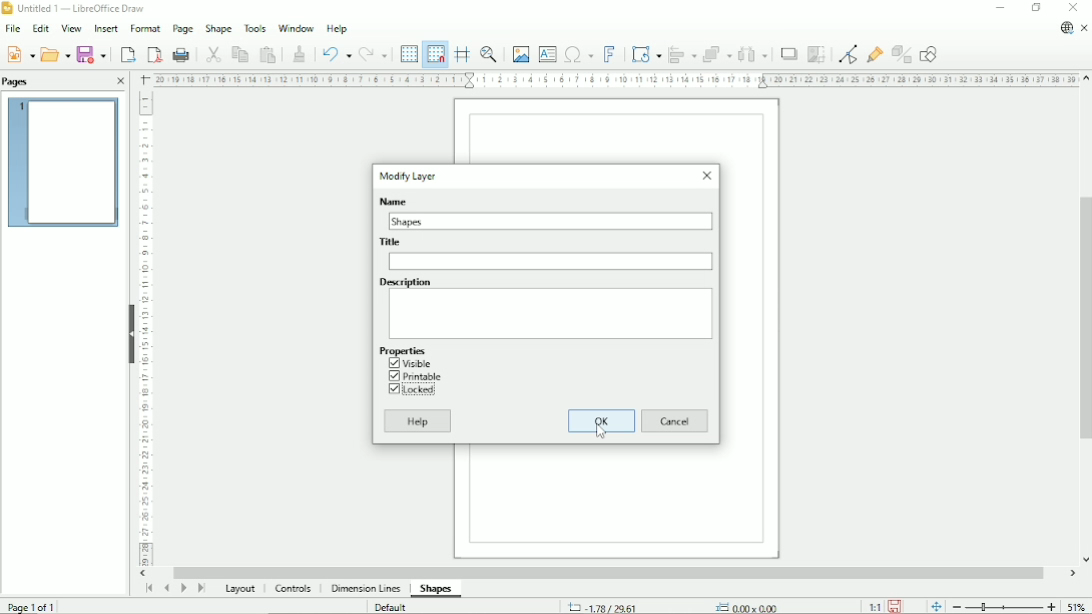 The width and height of the screenshot is (1092, 614). What do you see at coordinates (183, 589) in the screenshot?
I see `Scroll to next page` at bounding box center [183, 589].